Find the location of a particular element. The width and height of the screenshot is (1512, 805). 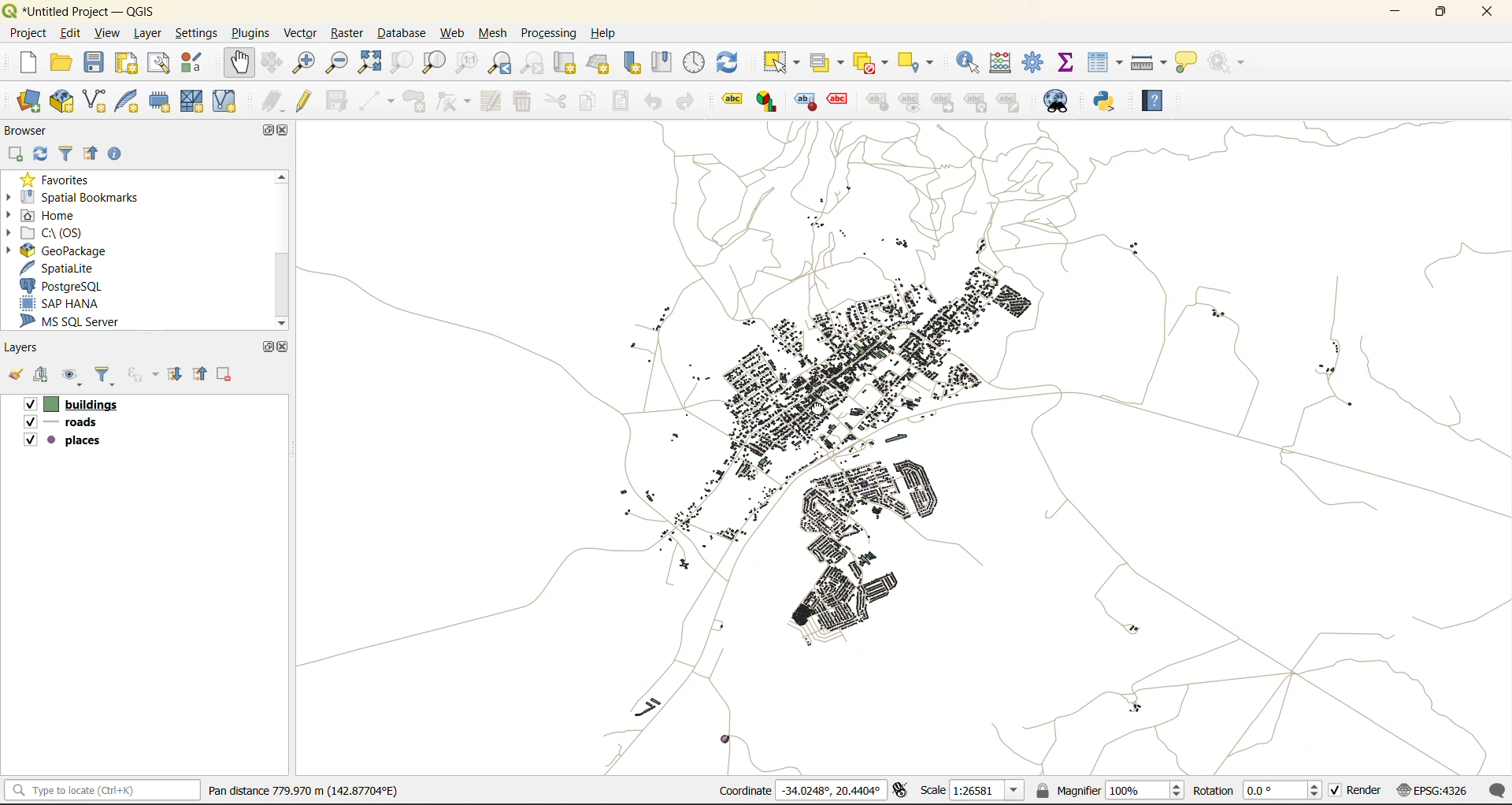

copy is located at coordinates (587, 102).